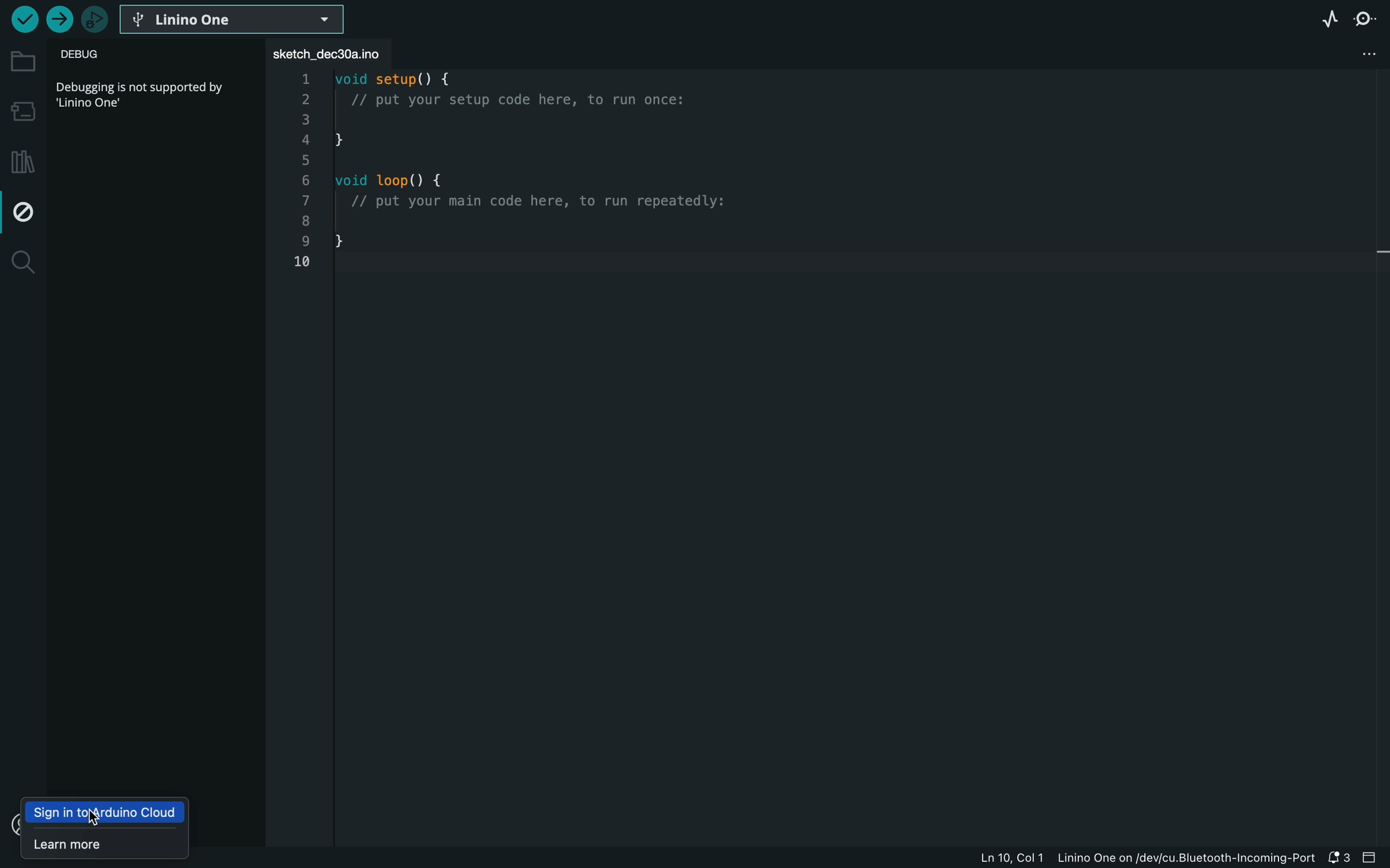  Describe the element at coordinates (24, 156) in the screenshot. I see `library manager` at that location.